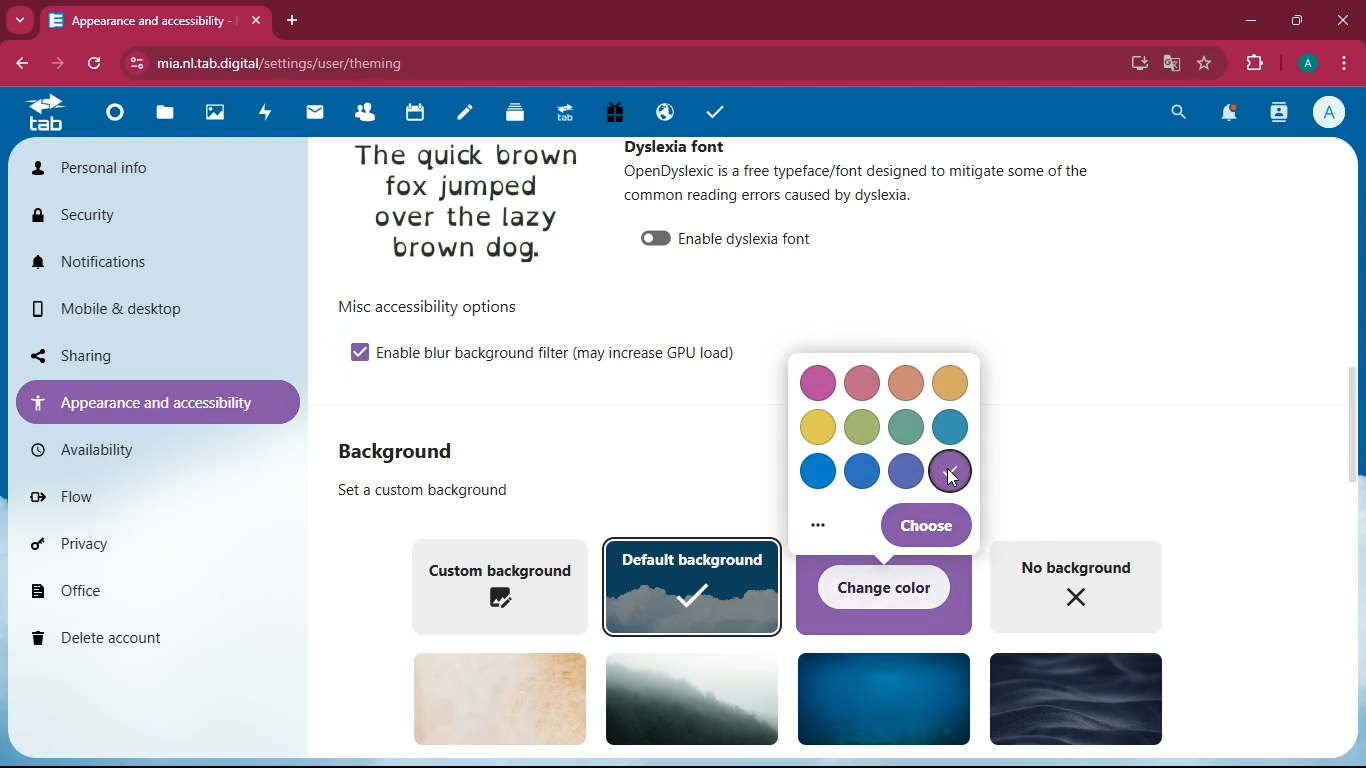 This screenshot has height=768, width=1366. Describe the element at coordinates (20, 19) in the screenshot. I see `more` at that location.